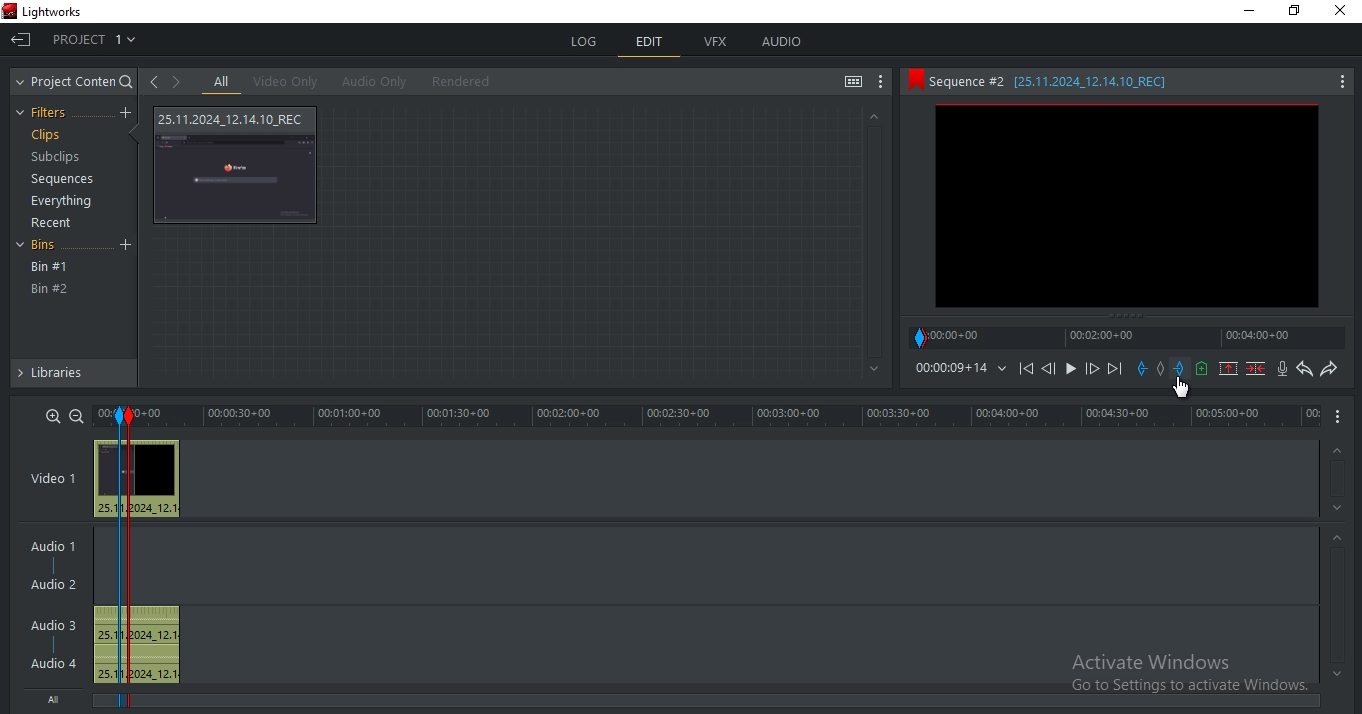 The height and width of the screenshot is (714, 1362). I want to click on Audio, so click(56, 663).